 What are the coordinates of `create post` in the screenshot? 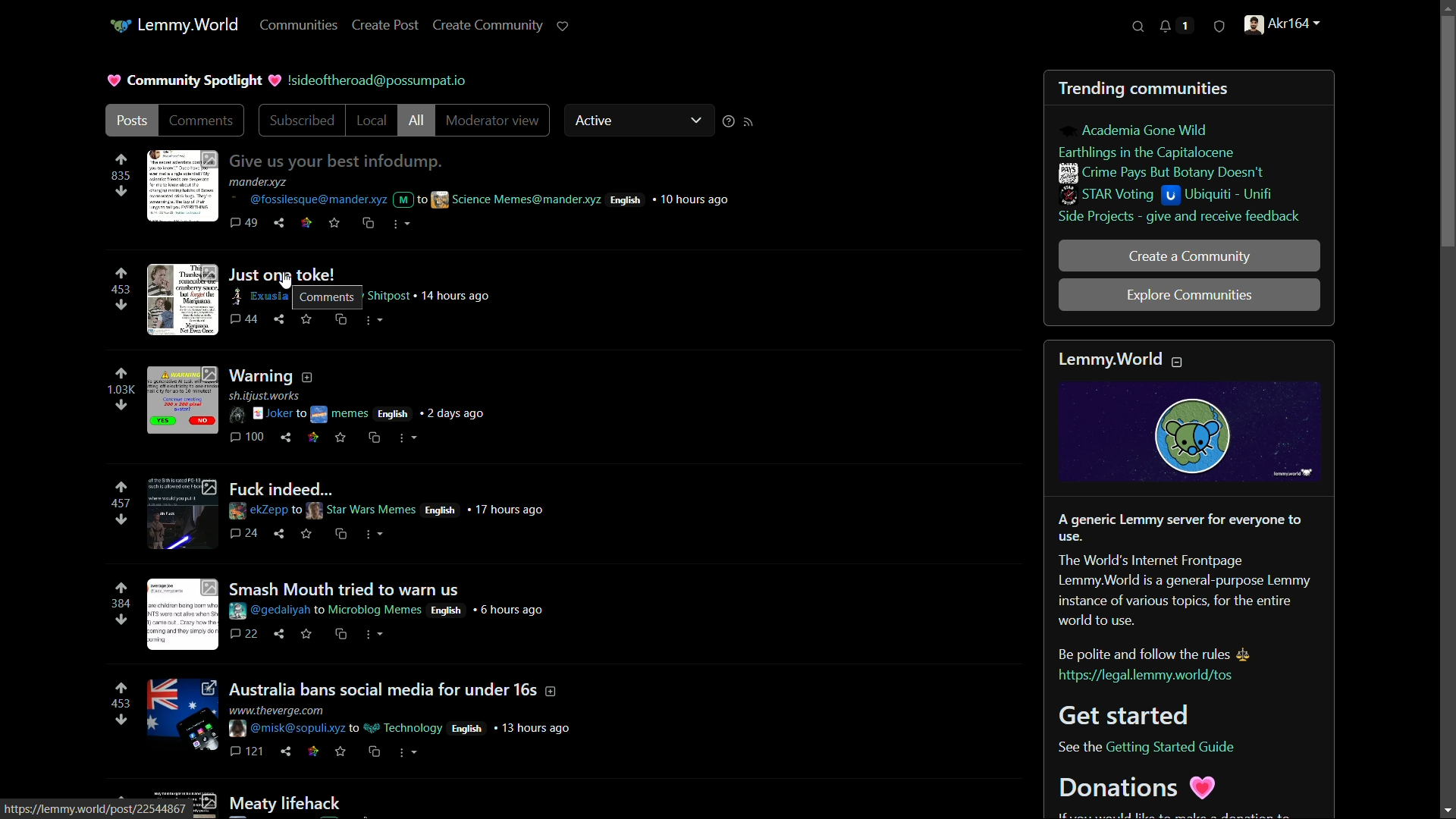 It's located at (385, 25).